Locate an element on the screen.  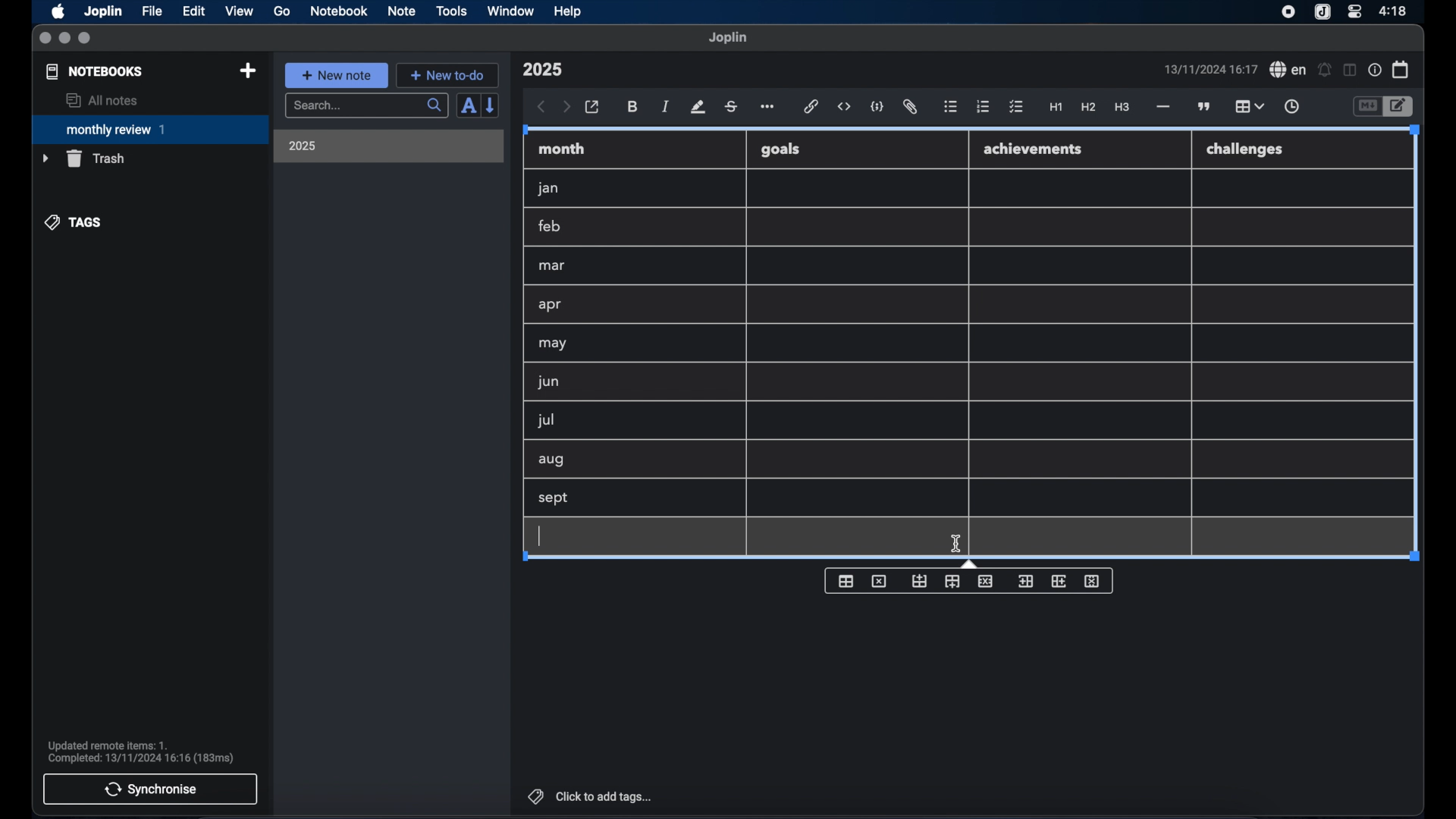
note title is located at coordinates (542, 70).